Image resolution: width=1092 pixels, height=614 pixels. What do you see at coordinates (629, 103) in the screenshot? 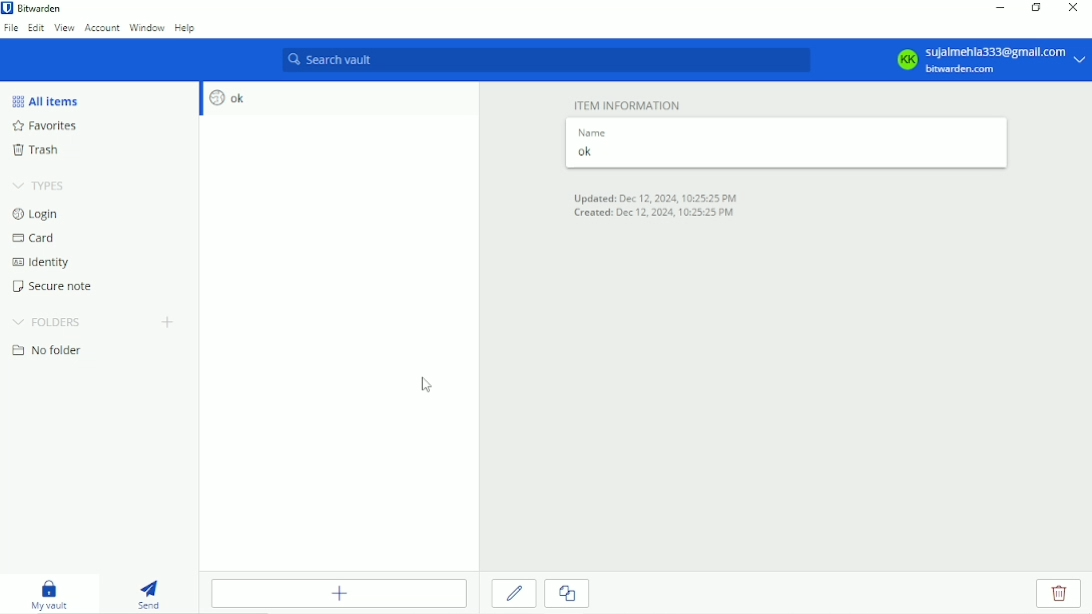
I see `Item information` at bounding box center [629, 103].